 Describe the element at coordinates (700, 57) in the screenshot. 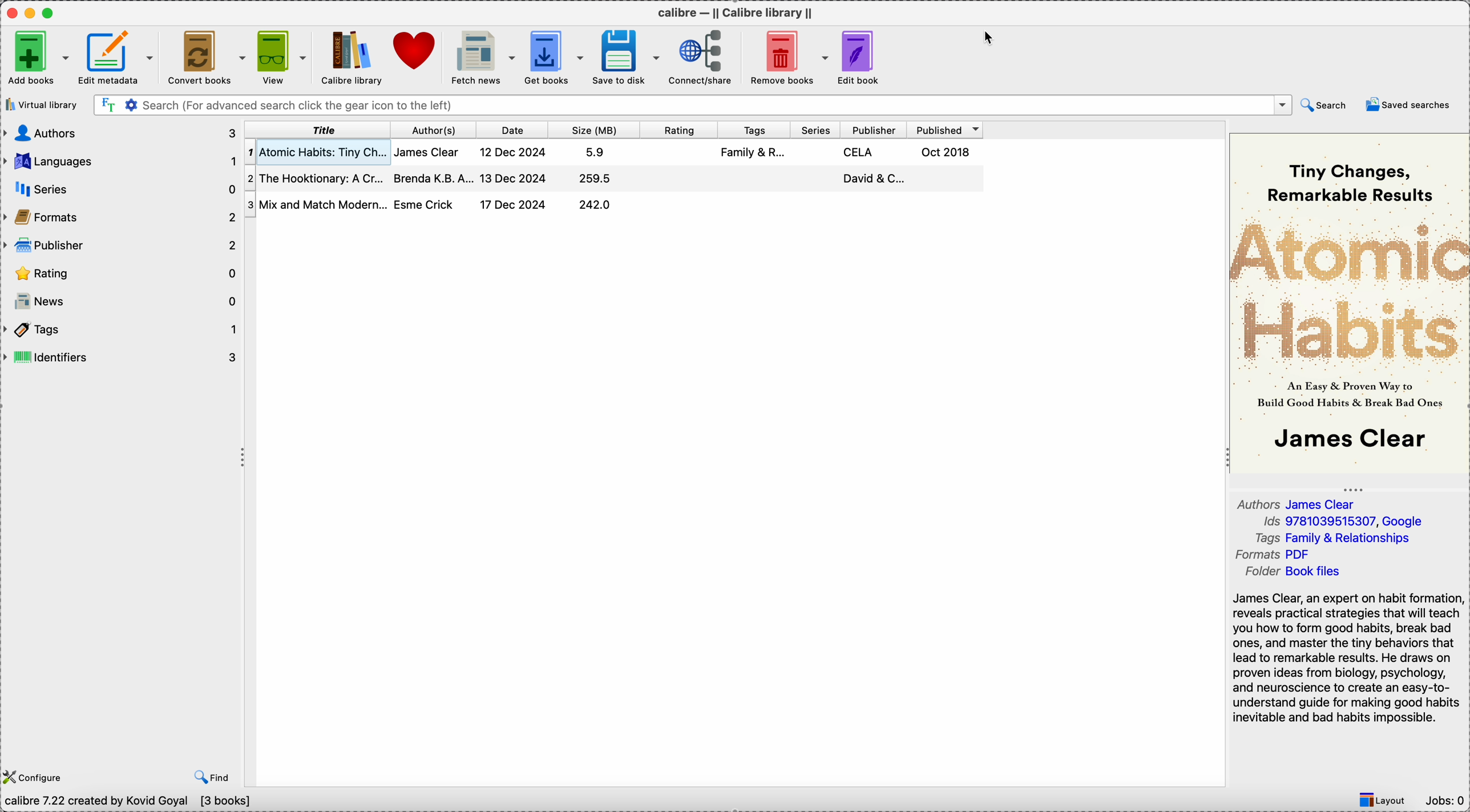

I see `connect/share` at that location.